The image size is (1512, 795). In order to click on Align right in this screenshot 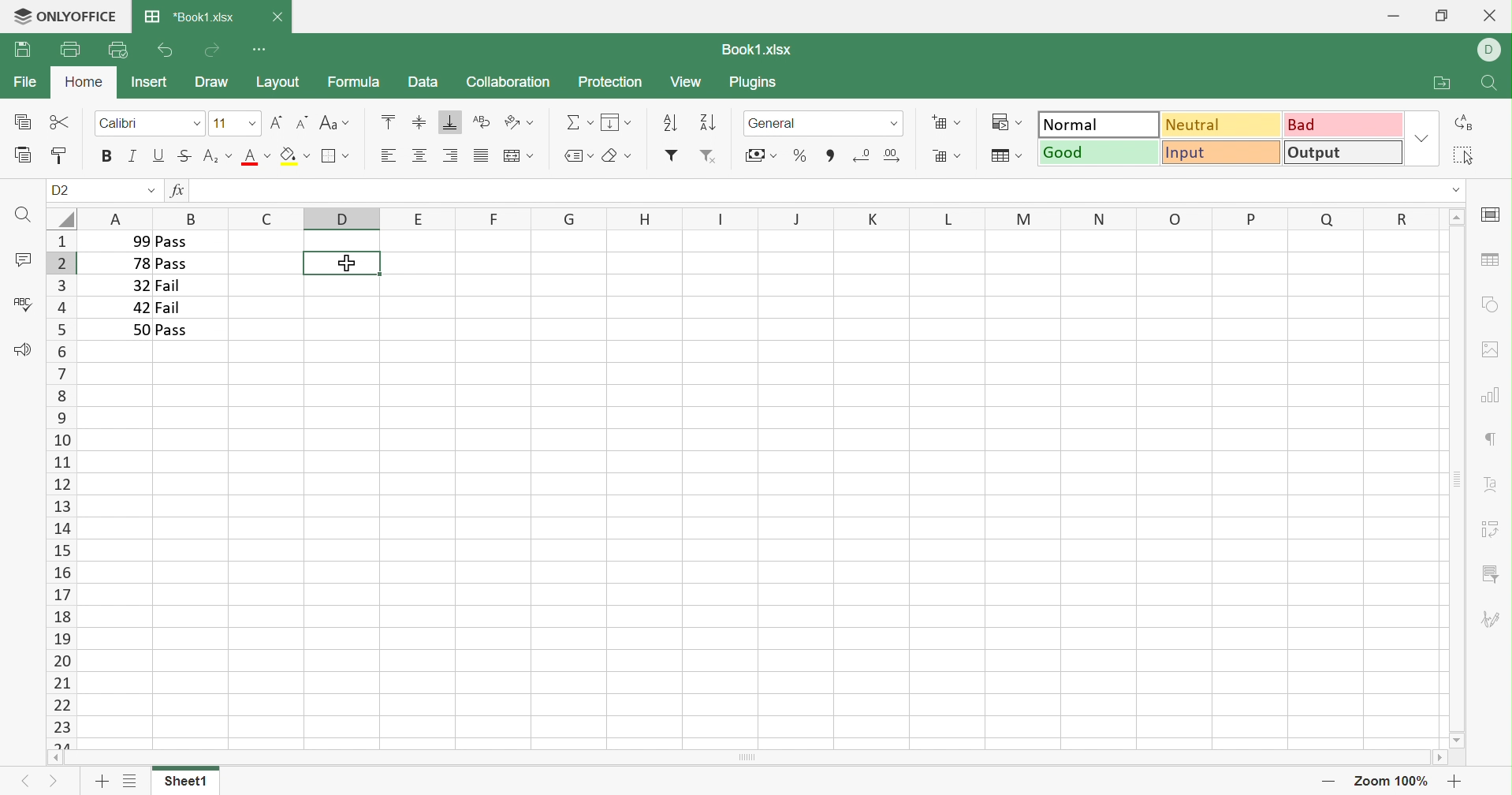, I will do `click(449, 156)`.